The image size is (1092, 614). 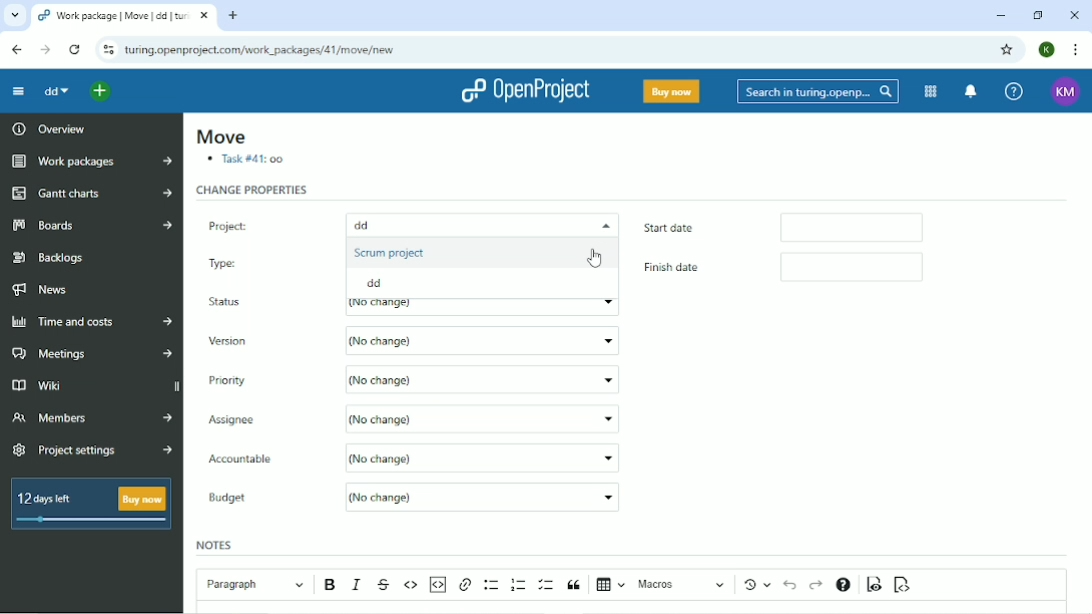 I want to click on Bookmark this tab, so click(x=1005, y=49).